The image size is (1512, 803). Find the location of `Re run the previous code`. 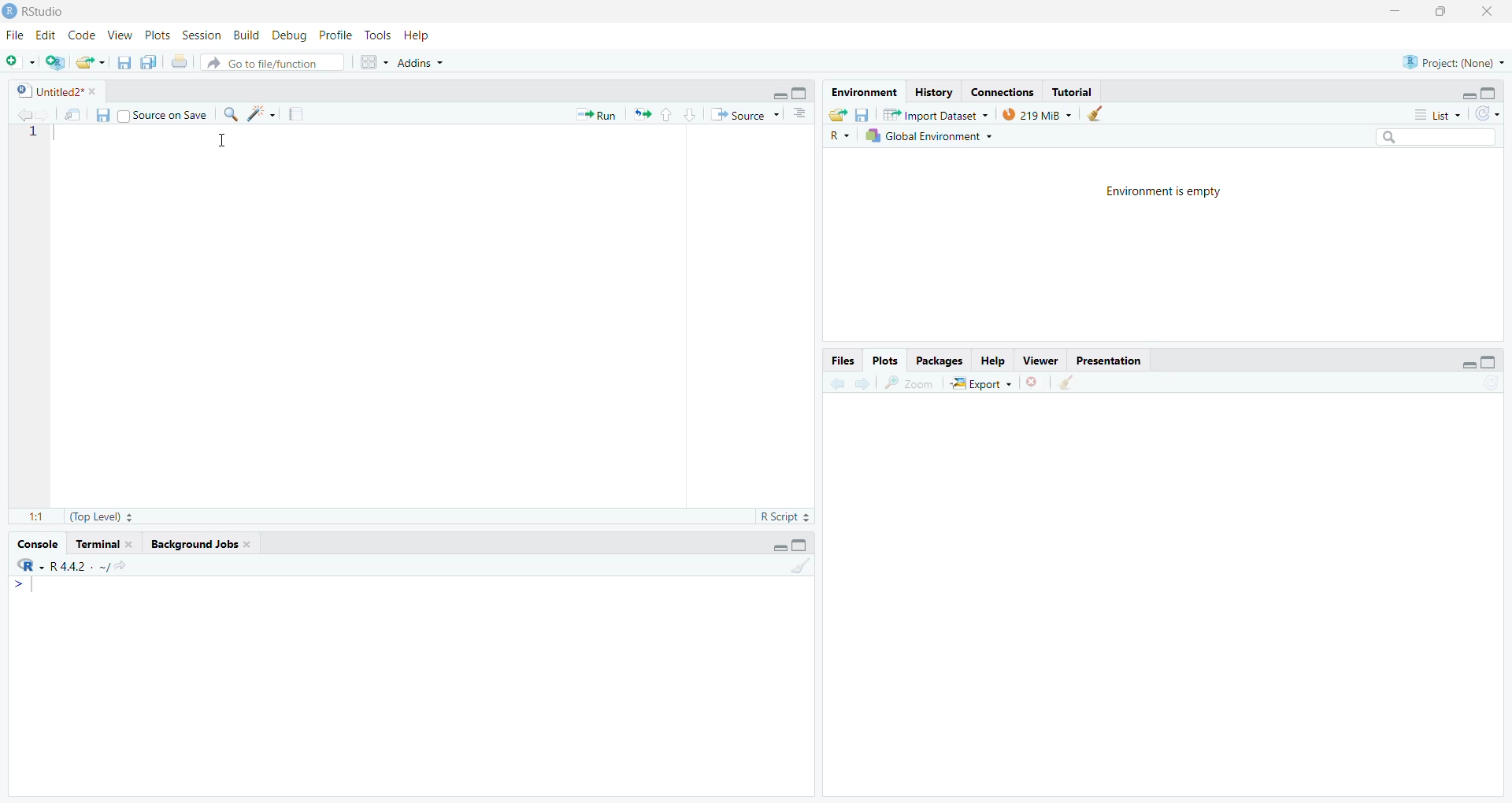

Re run the previous code is located at coordinates (641, 113).